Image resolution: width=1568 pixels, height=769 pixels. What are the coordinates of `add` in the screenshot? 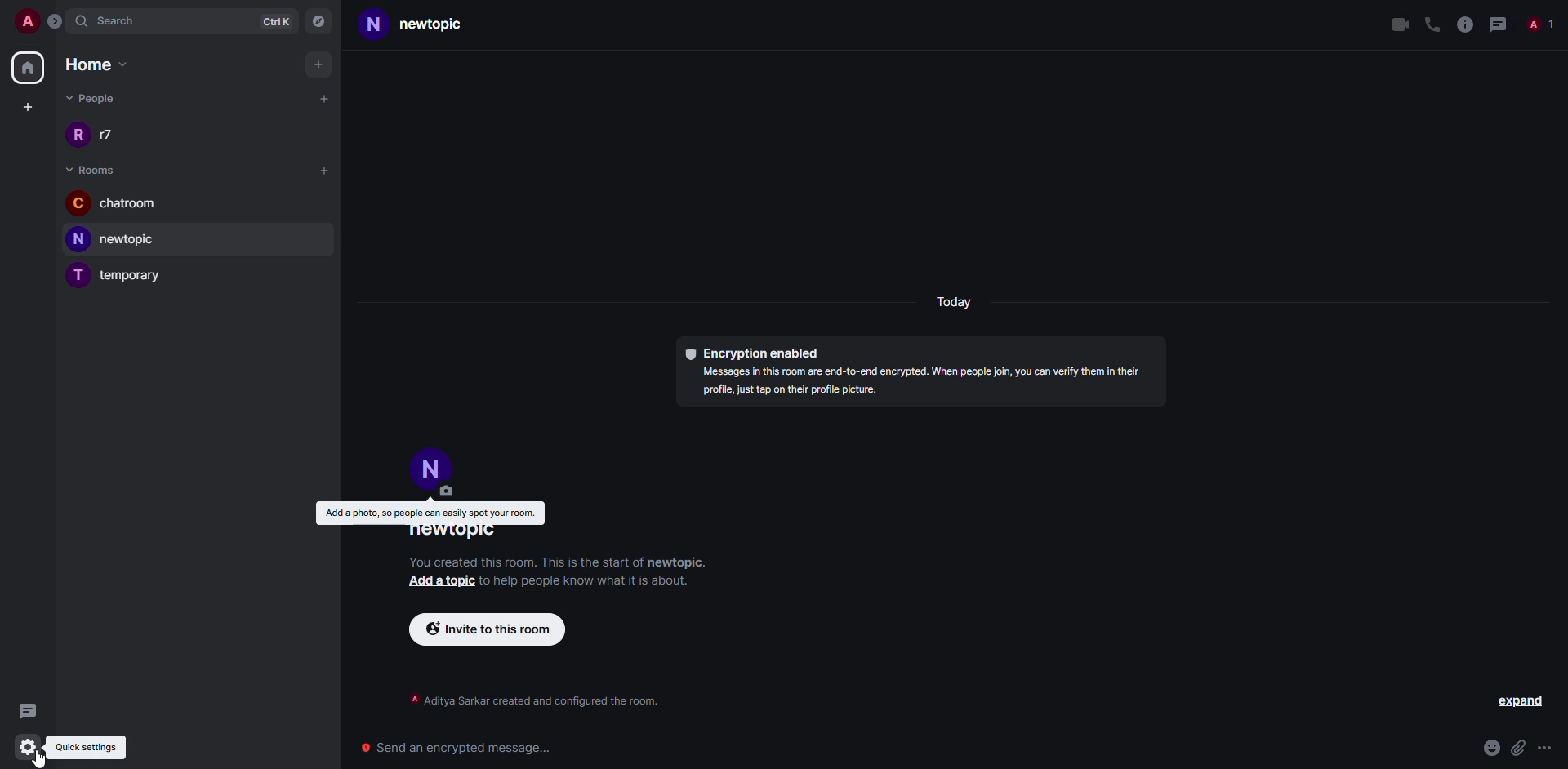 It's located at (322, 170).